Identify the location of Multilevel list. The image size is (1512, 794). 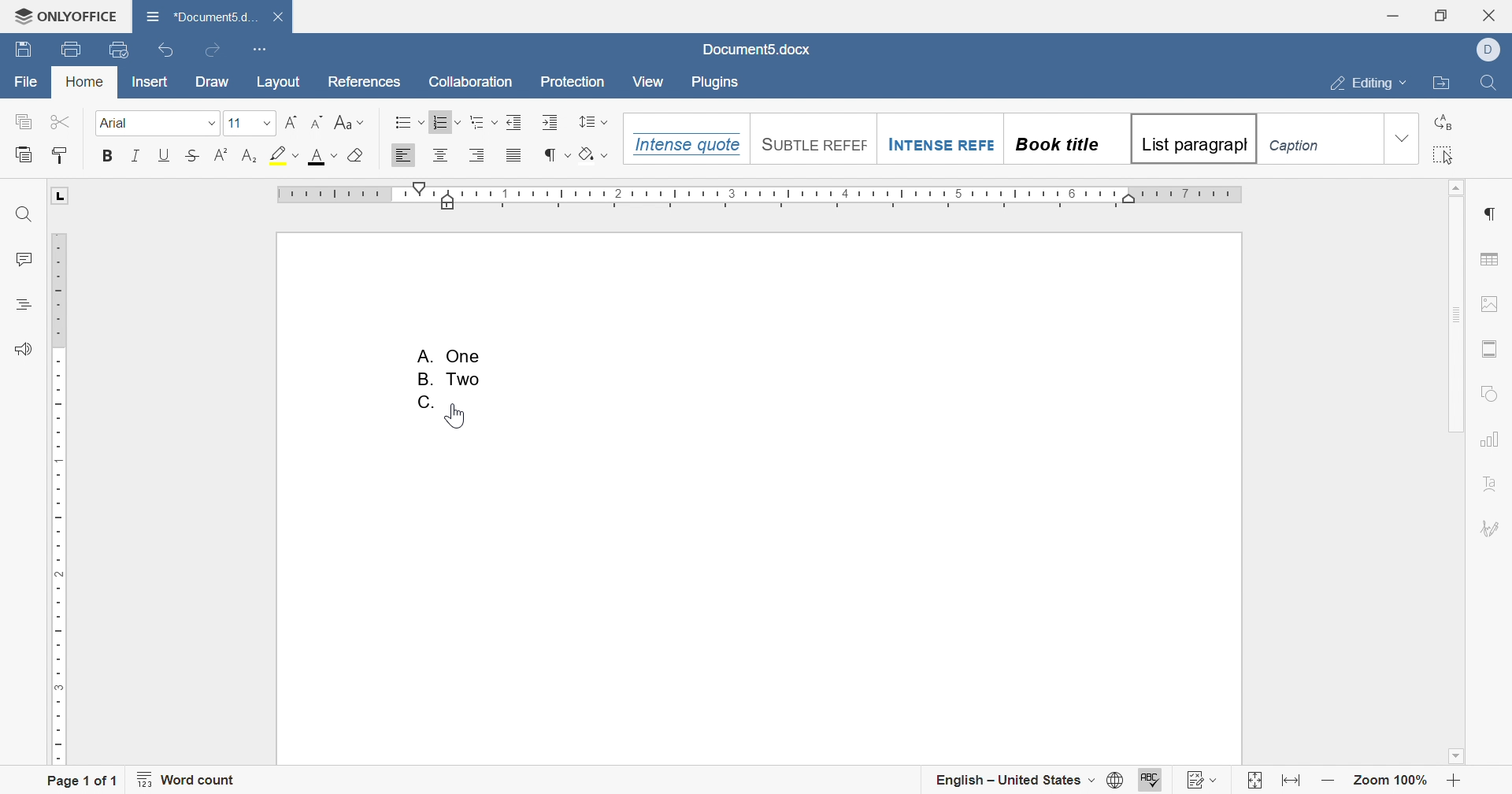
(482, 122).